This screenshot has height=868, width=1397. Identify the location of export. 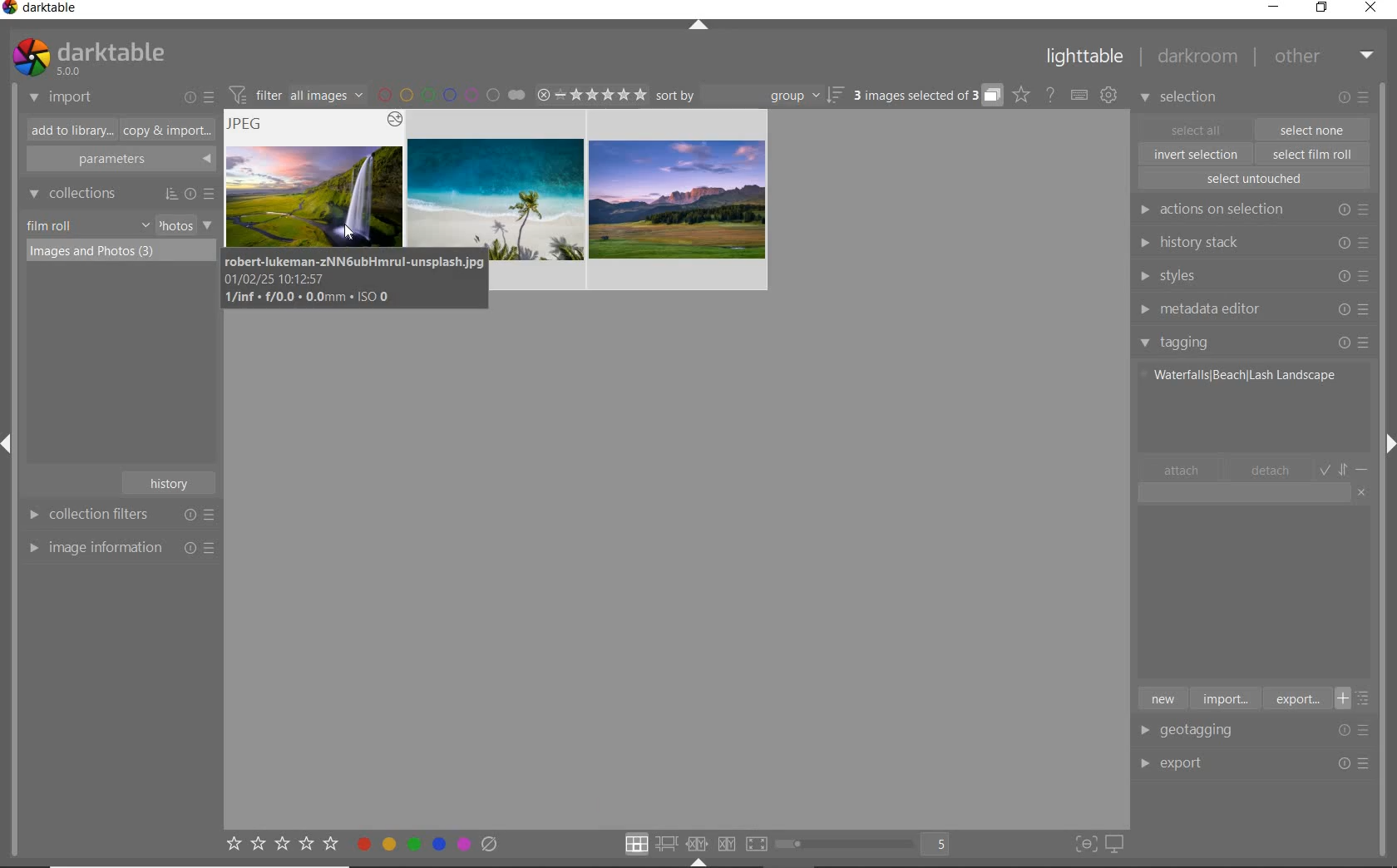
(1201, 762).